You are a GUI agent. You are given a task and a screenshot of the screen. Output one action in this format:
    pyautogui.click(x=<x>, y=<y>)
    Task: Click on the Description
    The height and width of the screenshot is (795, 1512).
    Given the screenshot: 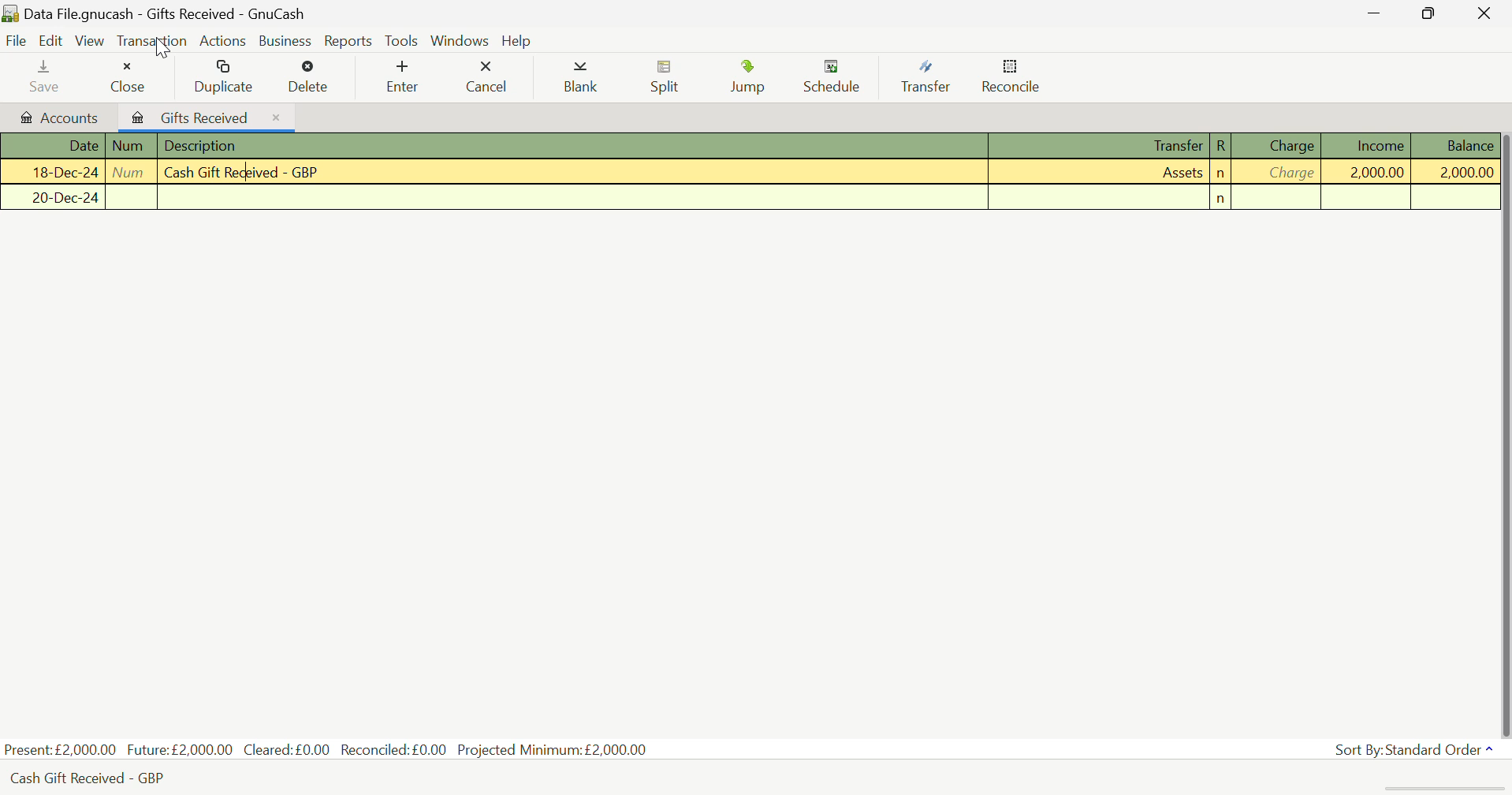 What is the action you would take?
    pyautogui.click(x=572, y=198)
    